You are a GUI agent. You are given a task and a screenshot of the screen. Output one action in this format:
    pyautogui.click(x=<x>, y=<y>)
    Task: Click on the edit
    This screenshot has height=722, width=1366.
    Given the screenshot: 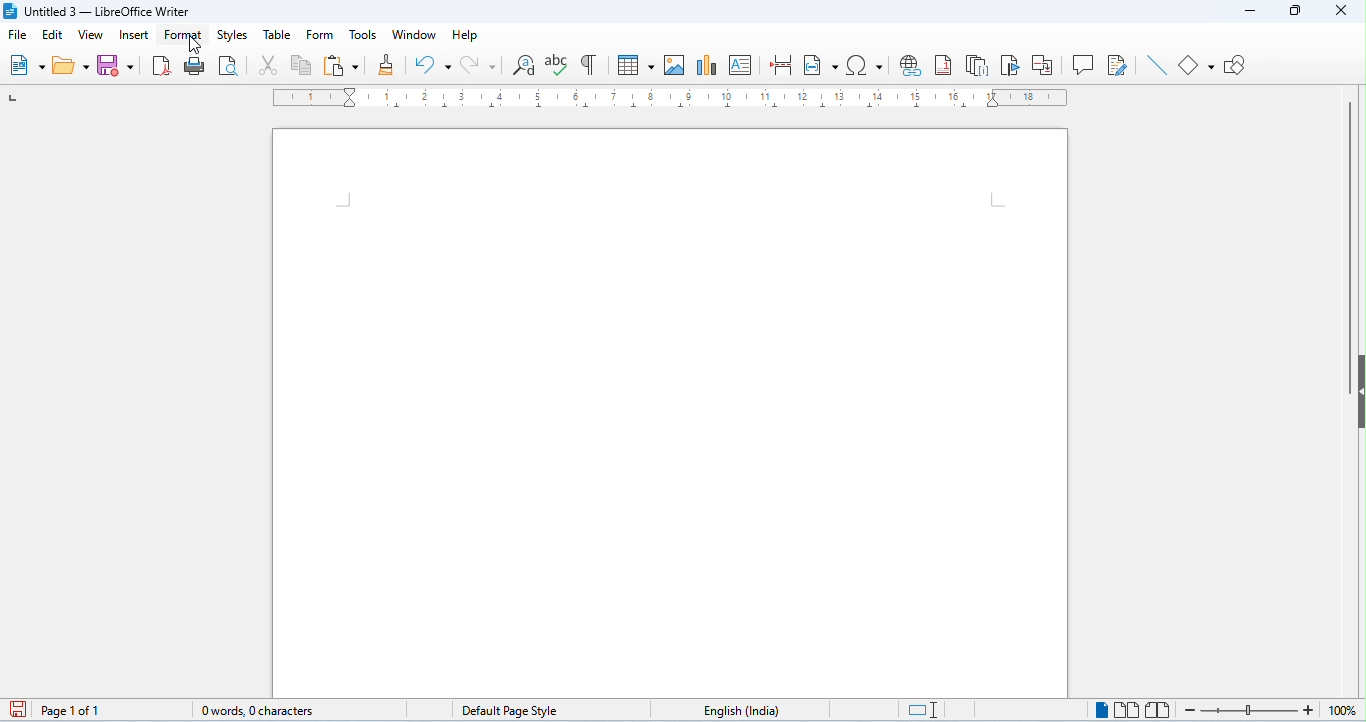 What is the action you would take?
    pyautogui.click(x=52, y=35)
    